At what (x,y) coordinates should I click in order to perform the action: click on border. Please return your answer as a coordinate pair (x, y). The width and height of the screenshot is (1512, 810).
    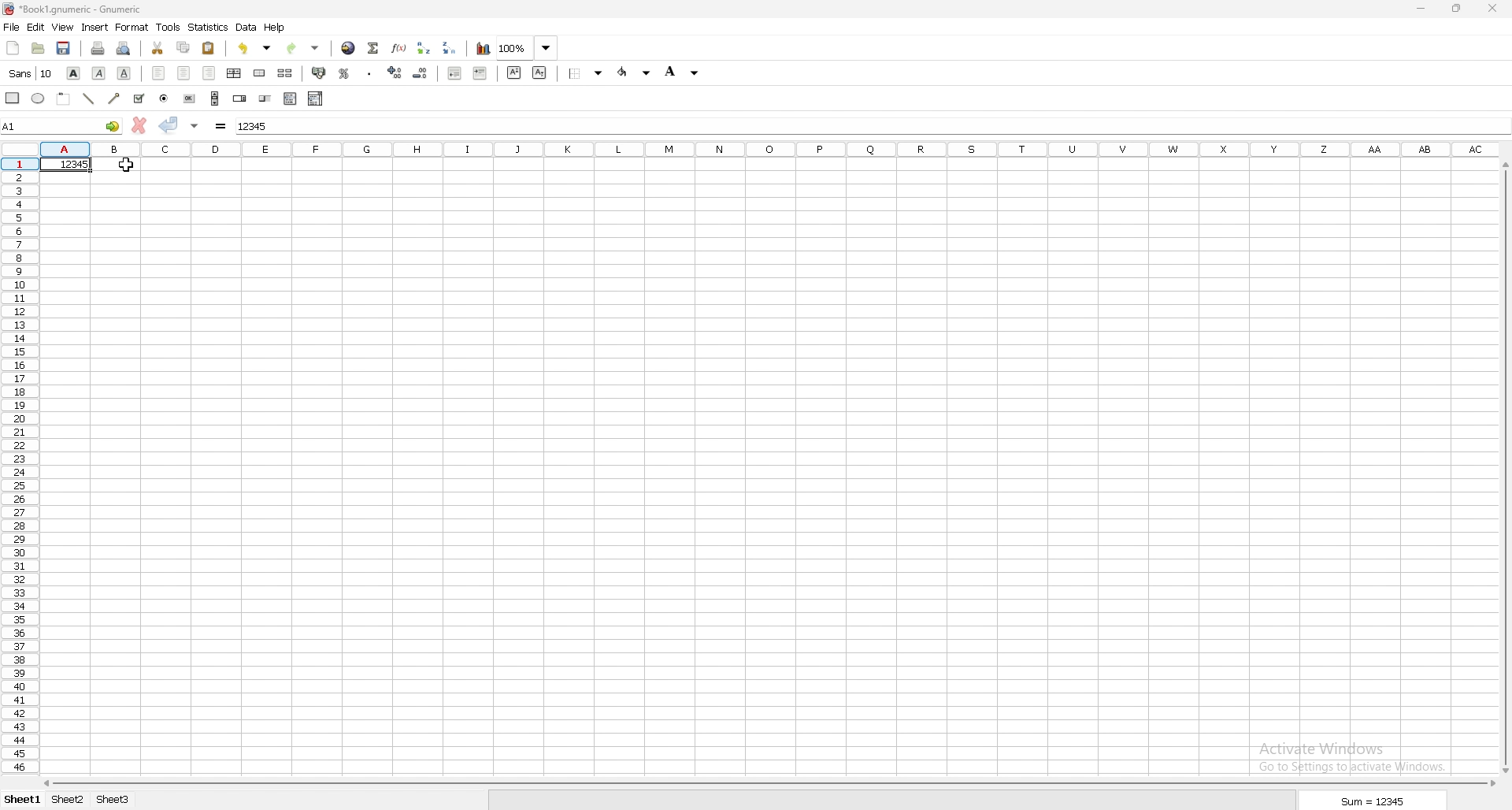
    Looking at the image, I should click on (586, 73).